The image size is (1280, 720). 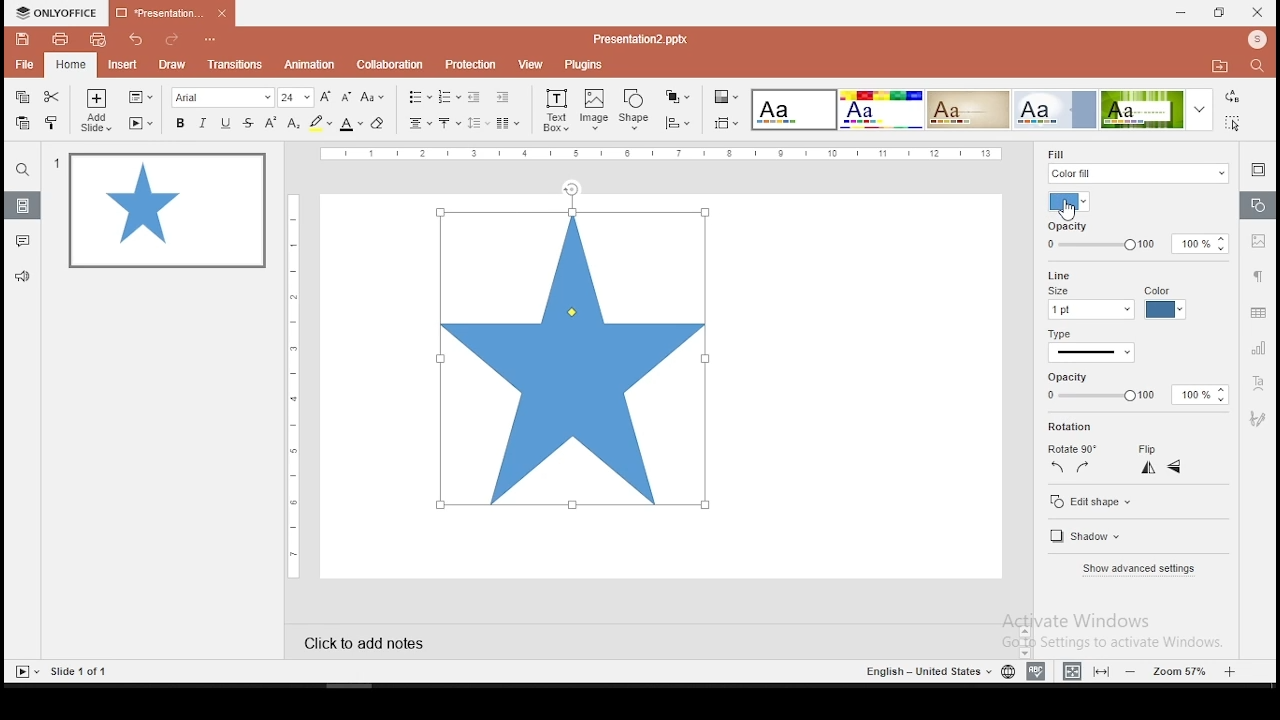 What do you see at coordinates (1085, 537) in the screenshot?
I see `shadow` at bounding box center [1085, 537].